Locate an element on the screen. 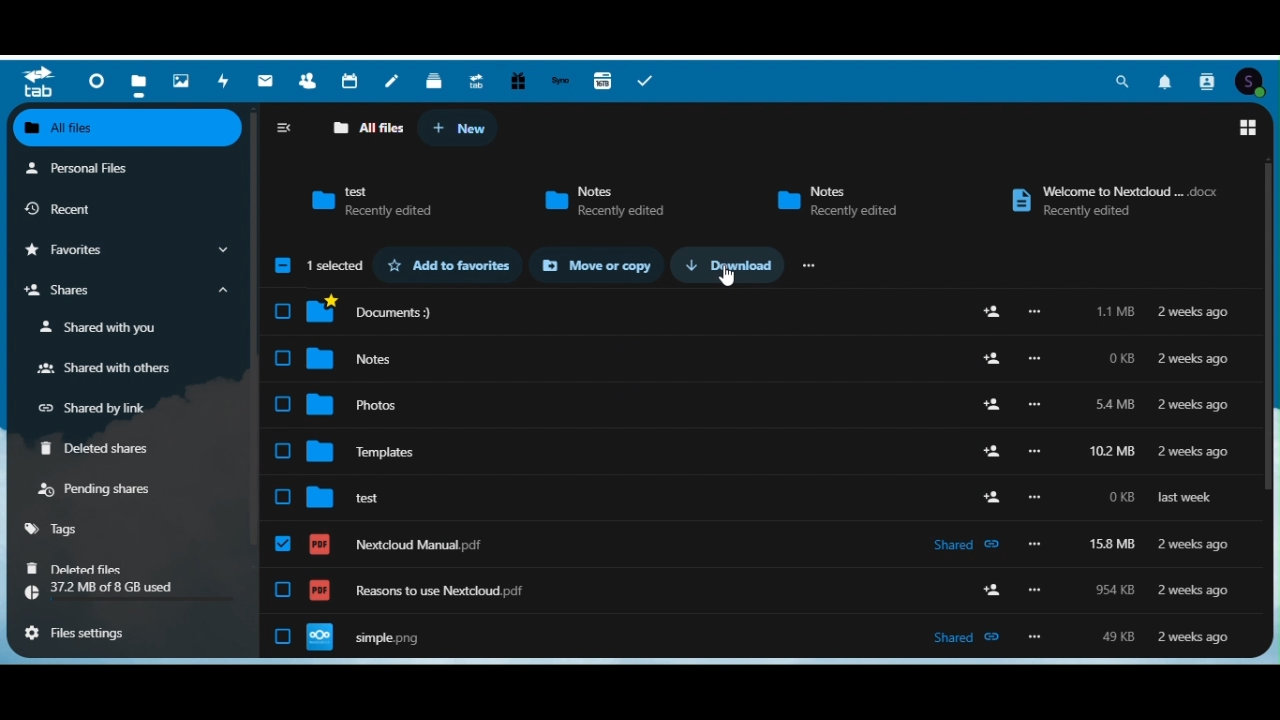  Recent is located at coordinates (67, 205).